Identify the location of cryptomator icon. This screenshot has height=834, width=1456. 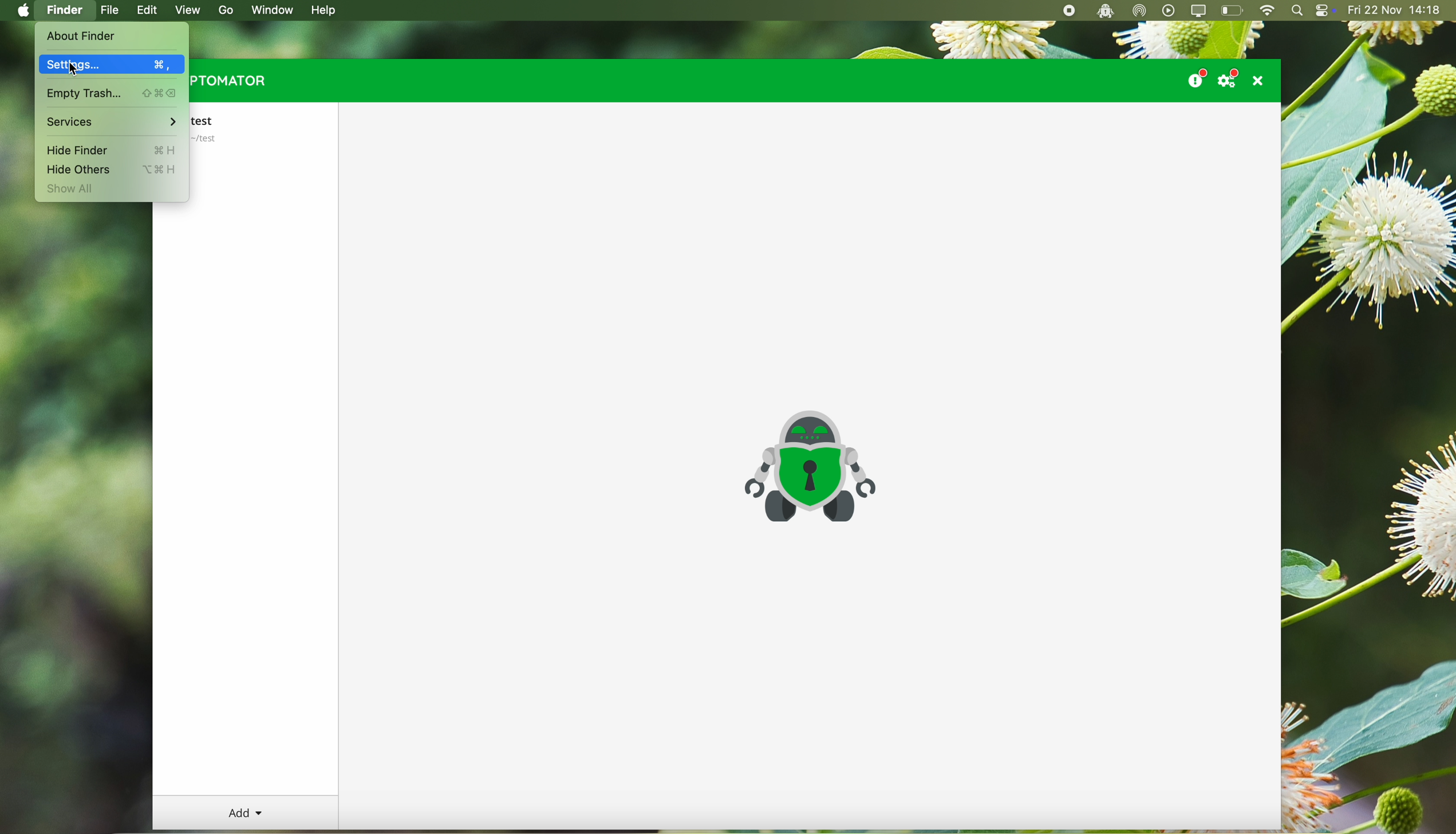
(808, 467).